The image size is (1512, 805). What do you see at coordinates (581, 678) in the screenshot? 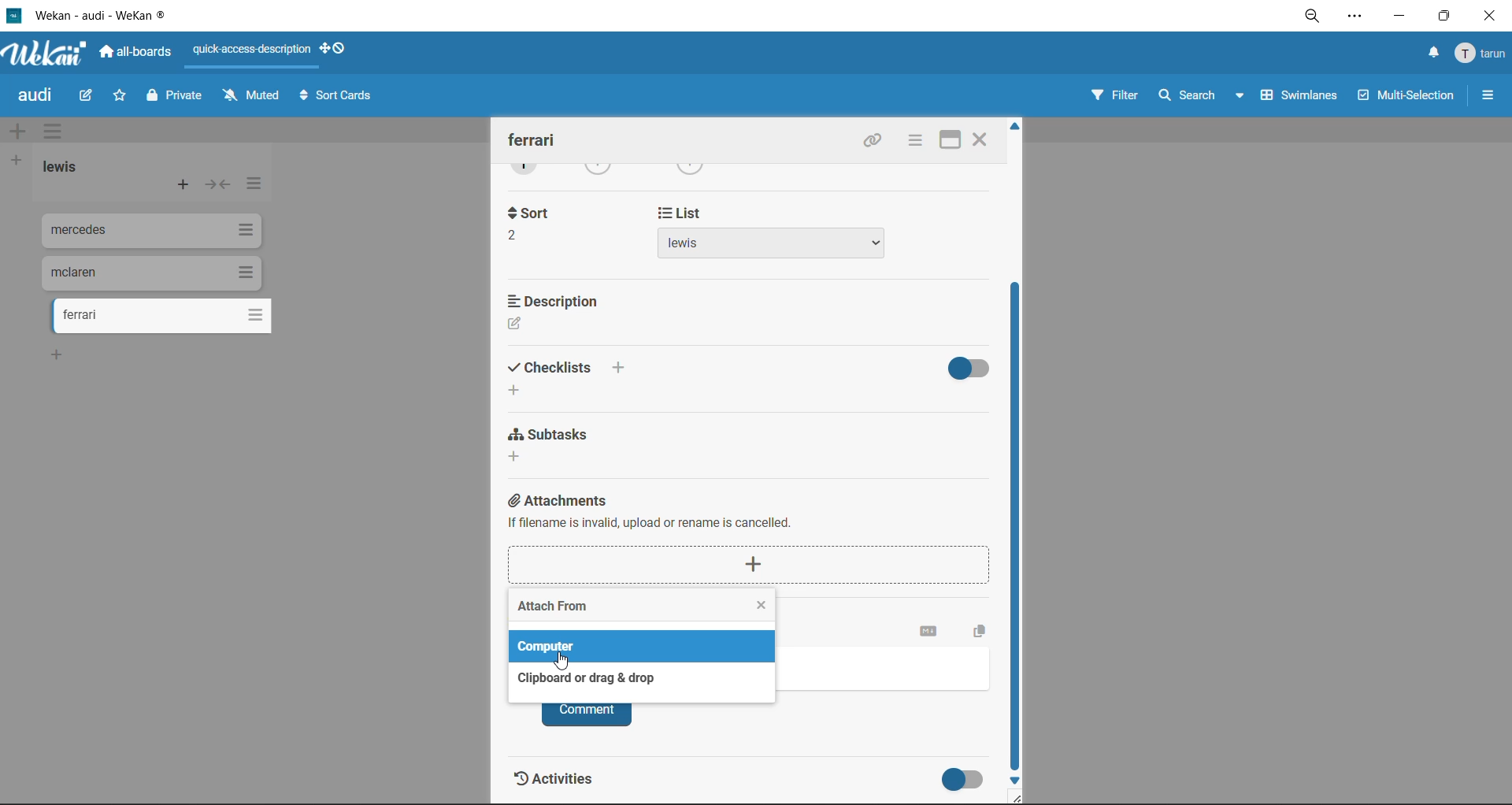
I see `clipboard or drag and drop` at bounding box center [581, 678].